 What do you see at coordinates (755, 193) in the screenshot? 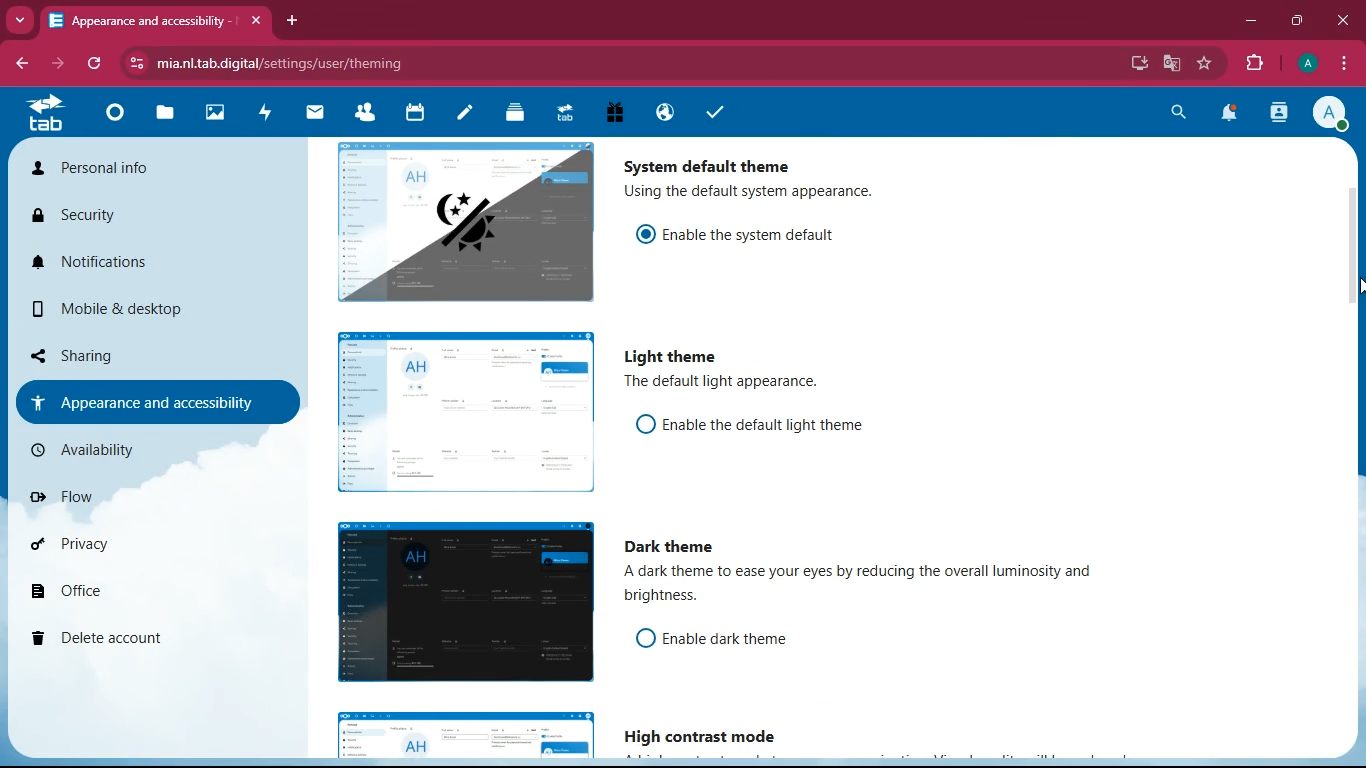
I see `description` at bounding box center [755, 193].